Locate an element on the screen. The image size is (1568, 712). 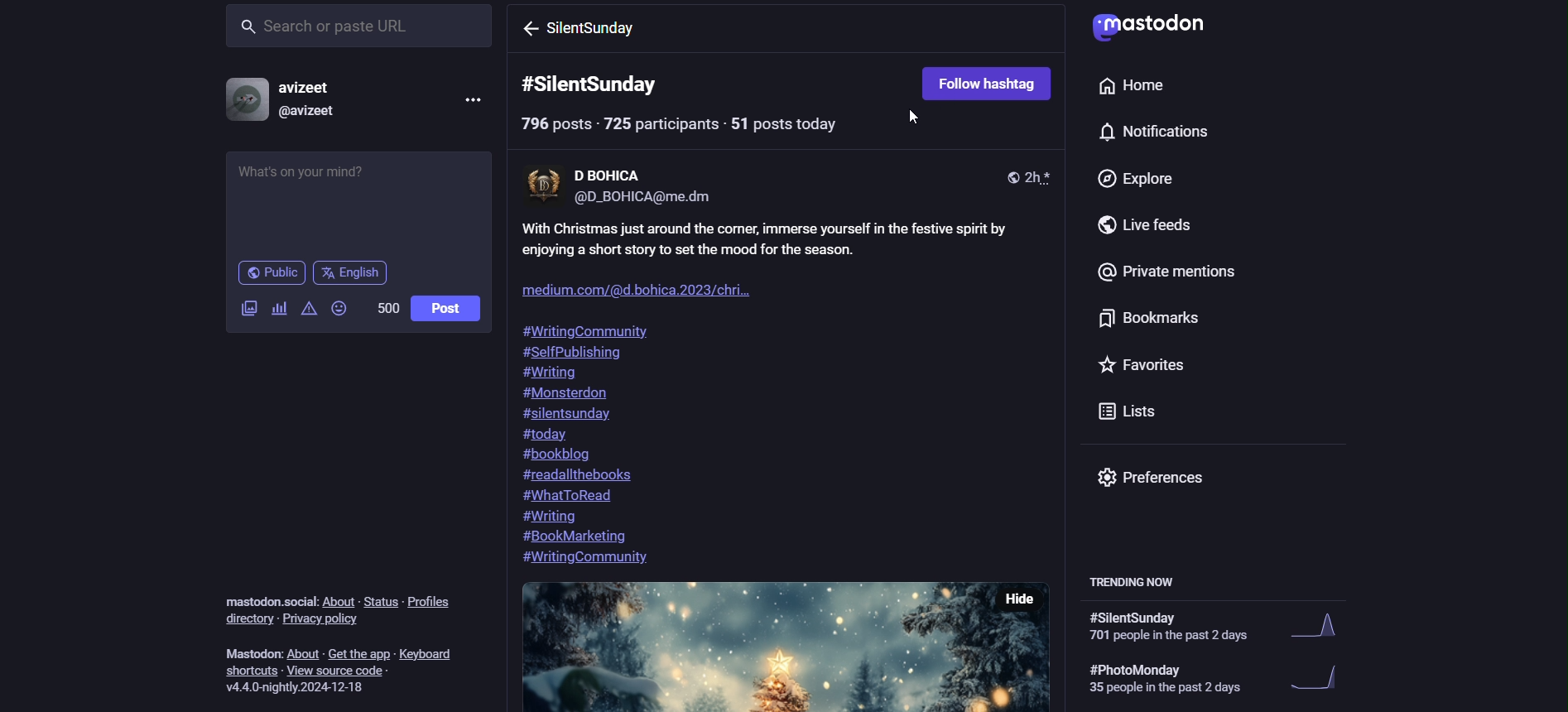
Cursor is located at coordinates (917, 122).